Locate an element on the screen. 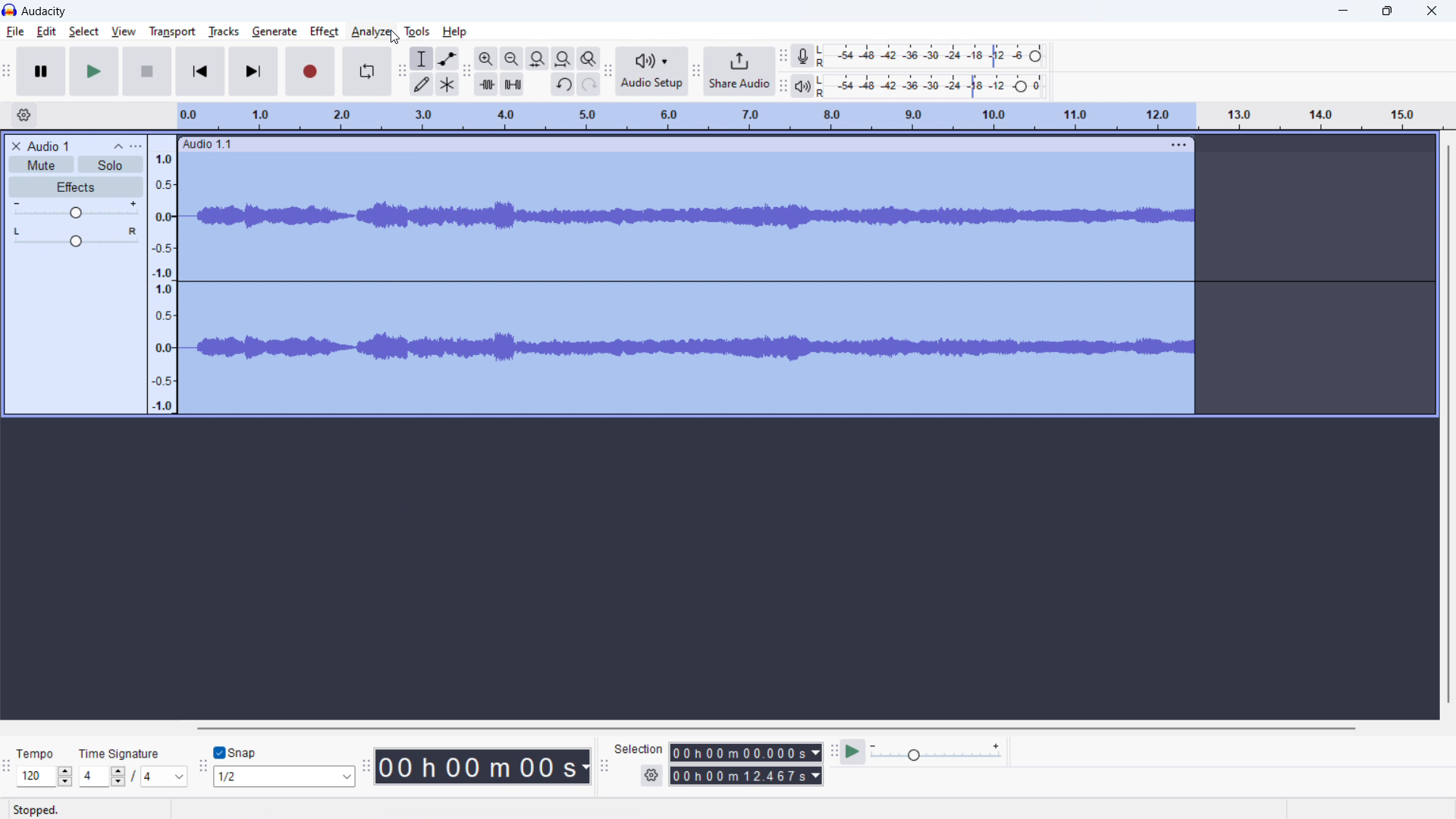 The width and height of the screenshot is (1456, 819). share audio toolbar is located at coordinates (697, 73).